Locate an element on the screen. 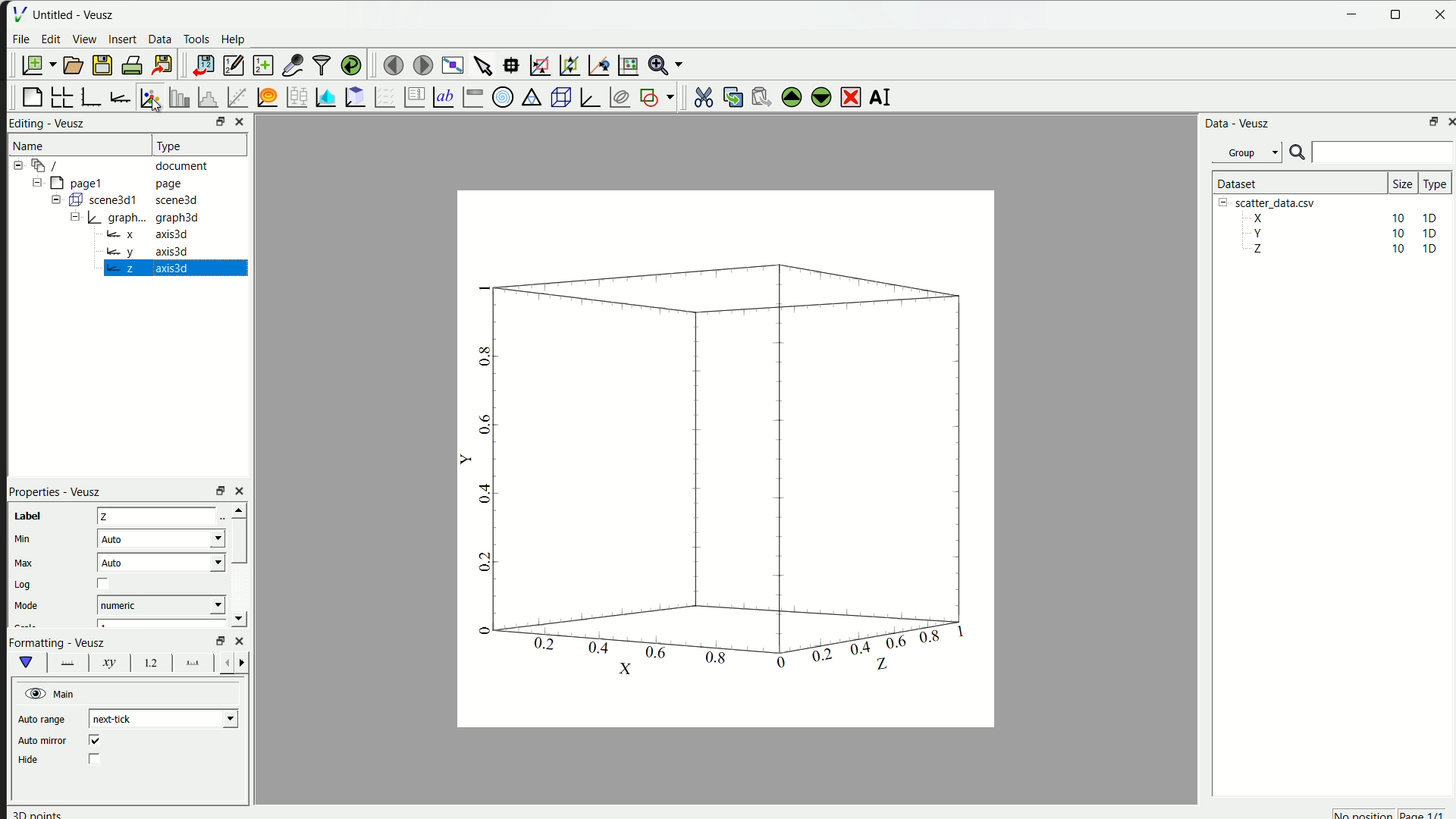 Image resolution: width=1456 pixels, height=819 pixels. Y 10 10 is located at coordinates (1339, 234).